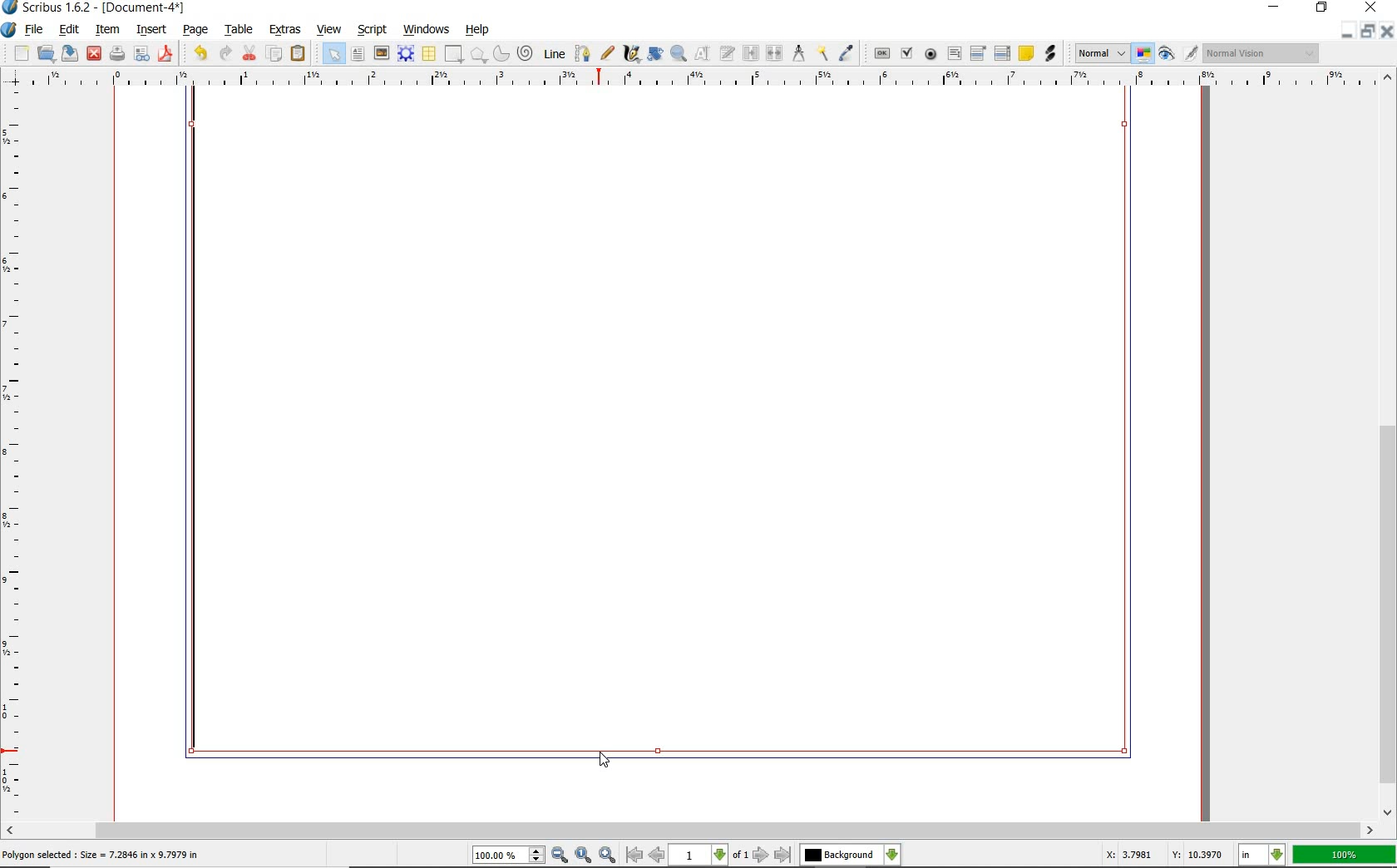 The height and width of the screenshot is (868, 1397). What do you see at coordinates (16, 53) in the screenshot?
I see `new` at bounding box center [16, 53].